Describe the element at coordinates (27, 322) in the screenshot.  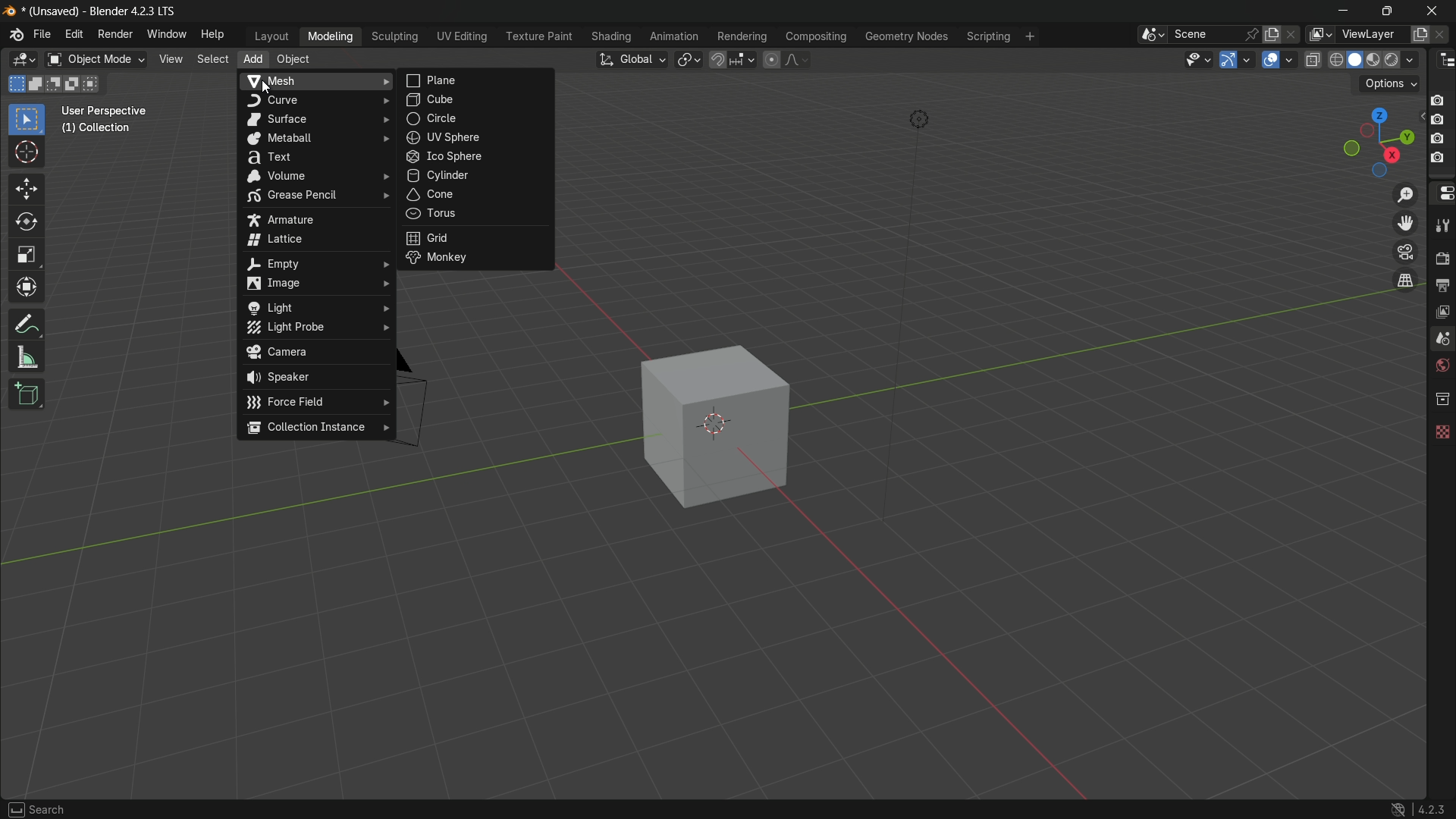
I see `annotate` at that location.